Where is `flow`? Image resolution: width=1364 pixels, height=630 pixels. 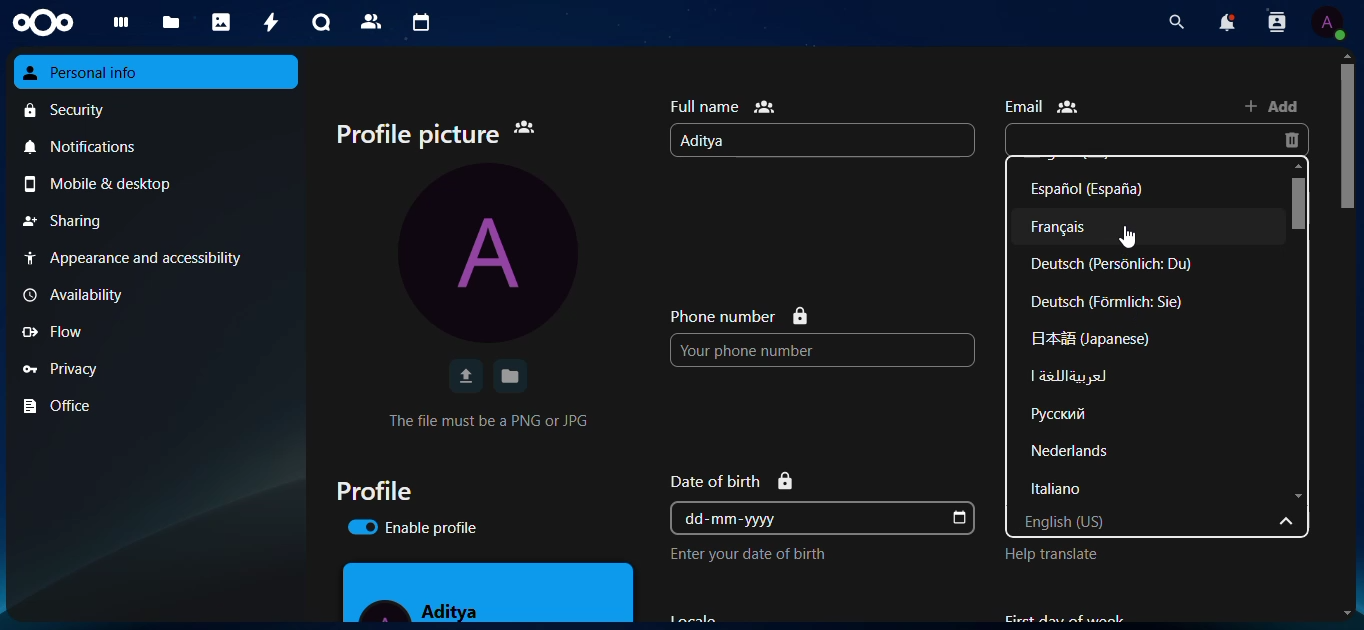
flow is located at coordinates (62, 332).